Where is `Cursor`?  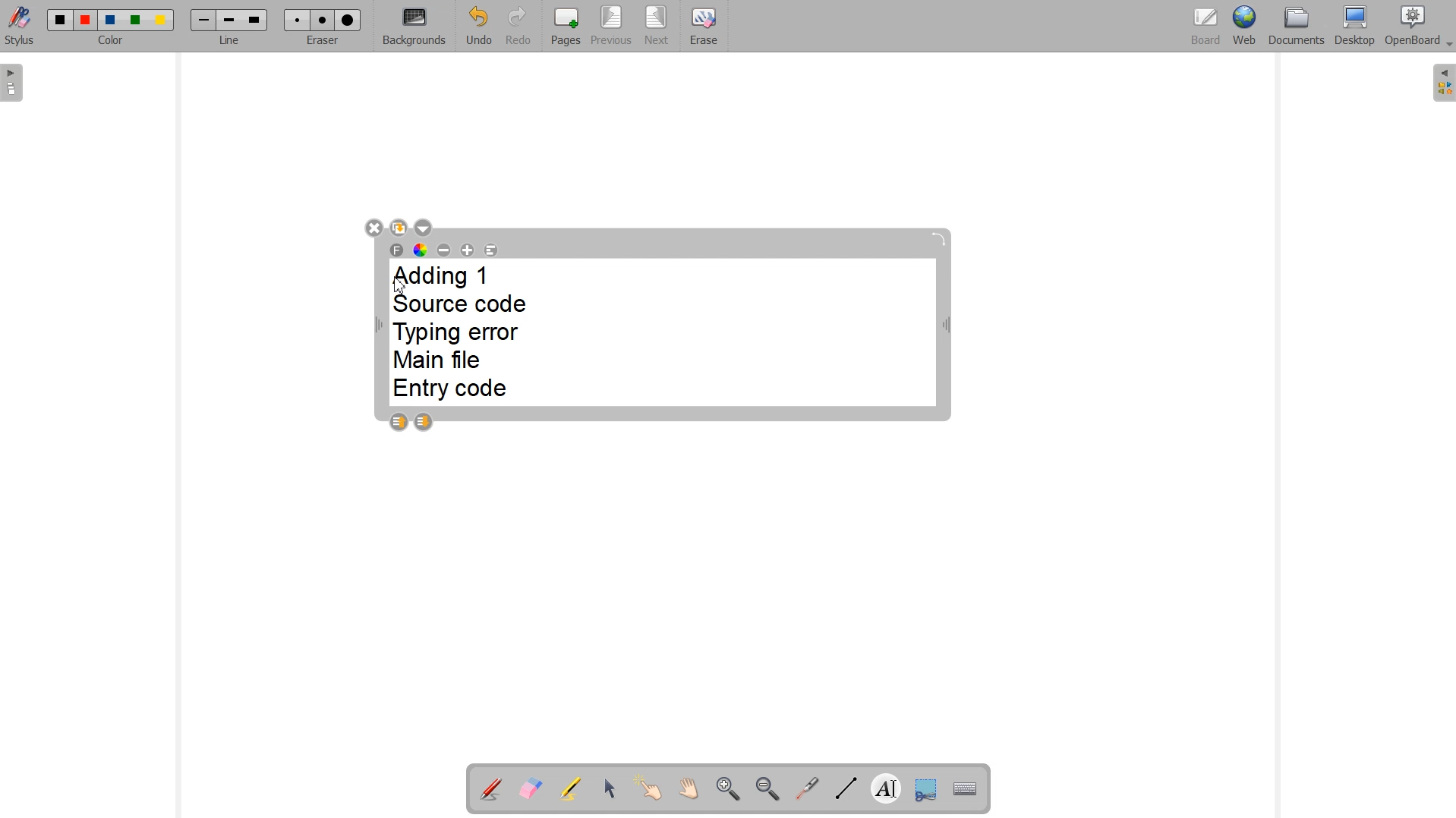 Cursor is located at coordinates (401, 285).